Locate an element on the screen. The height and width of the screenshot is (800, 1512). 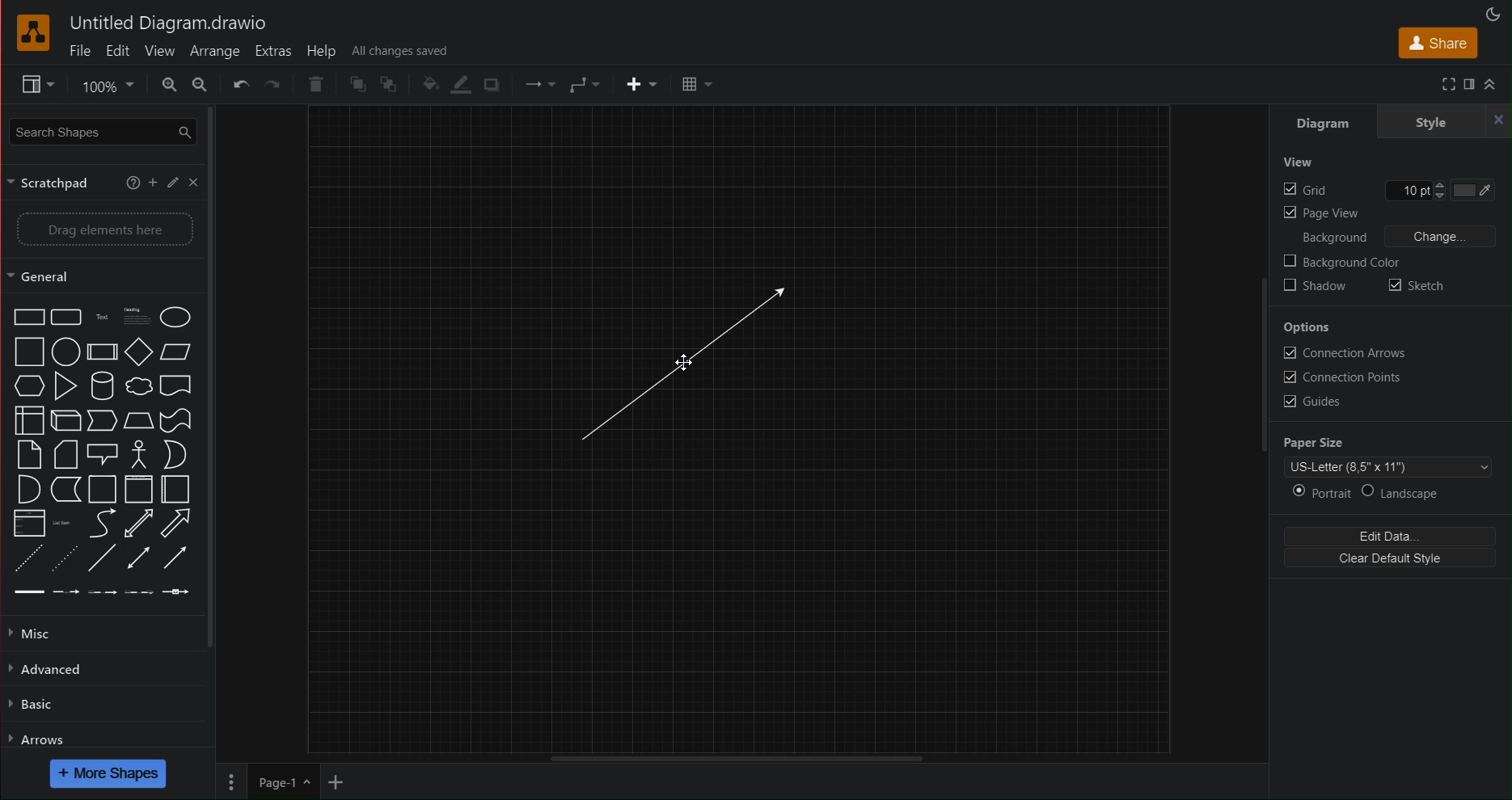
Add is located at coordinates (153, 181).